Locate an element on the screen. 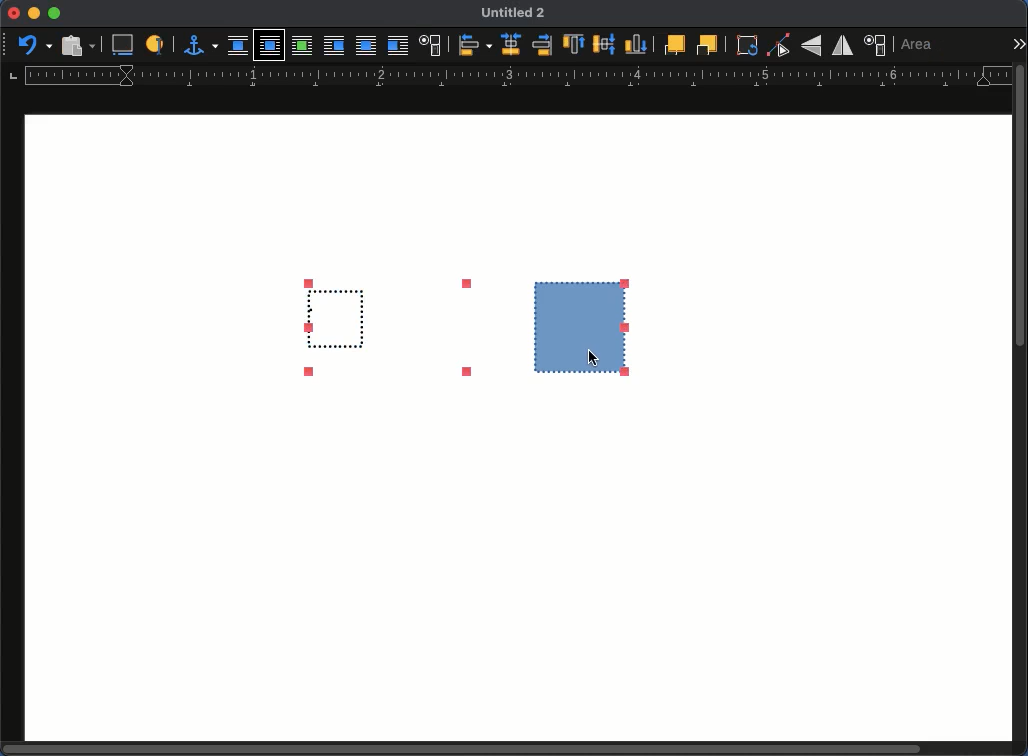 The height and width of the screenshot is (756, 1028). point  is located at coordinates (778, 45).